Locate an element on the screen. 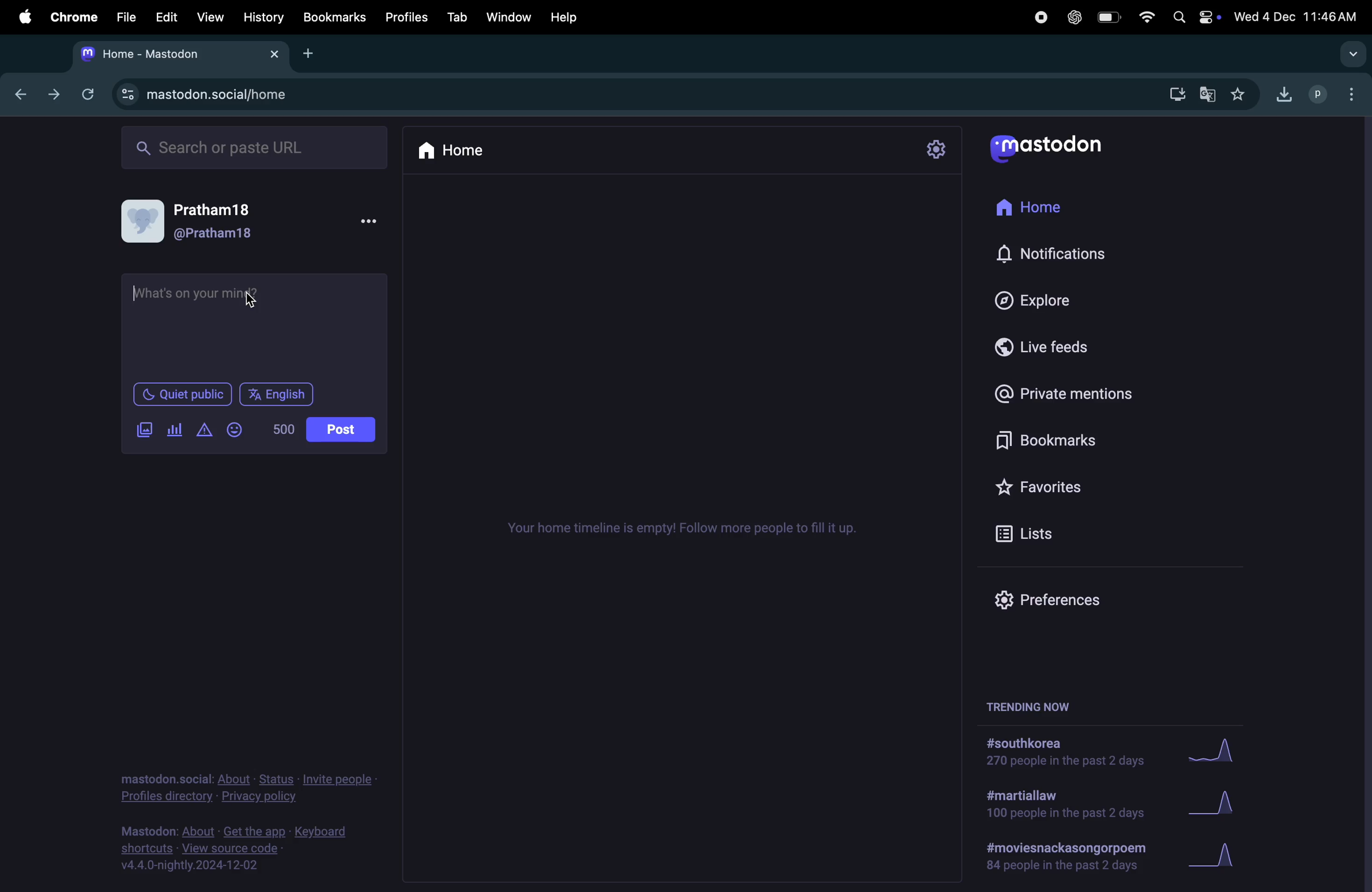 This screenshot has height=892, width=1372. View is located at coordinates (210, 17).